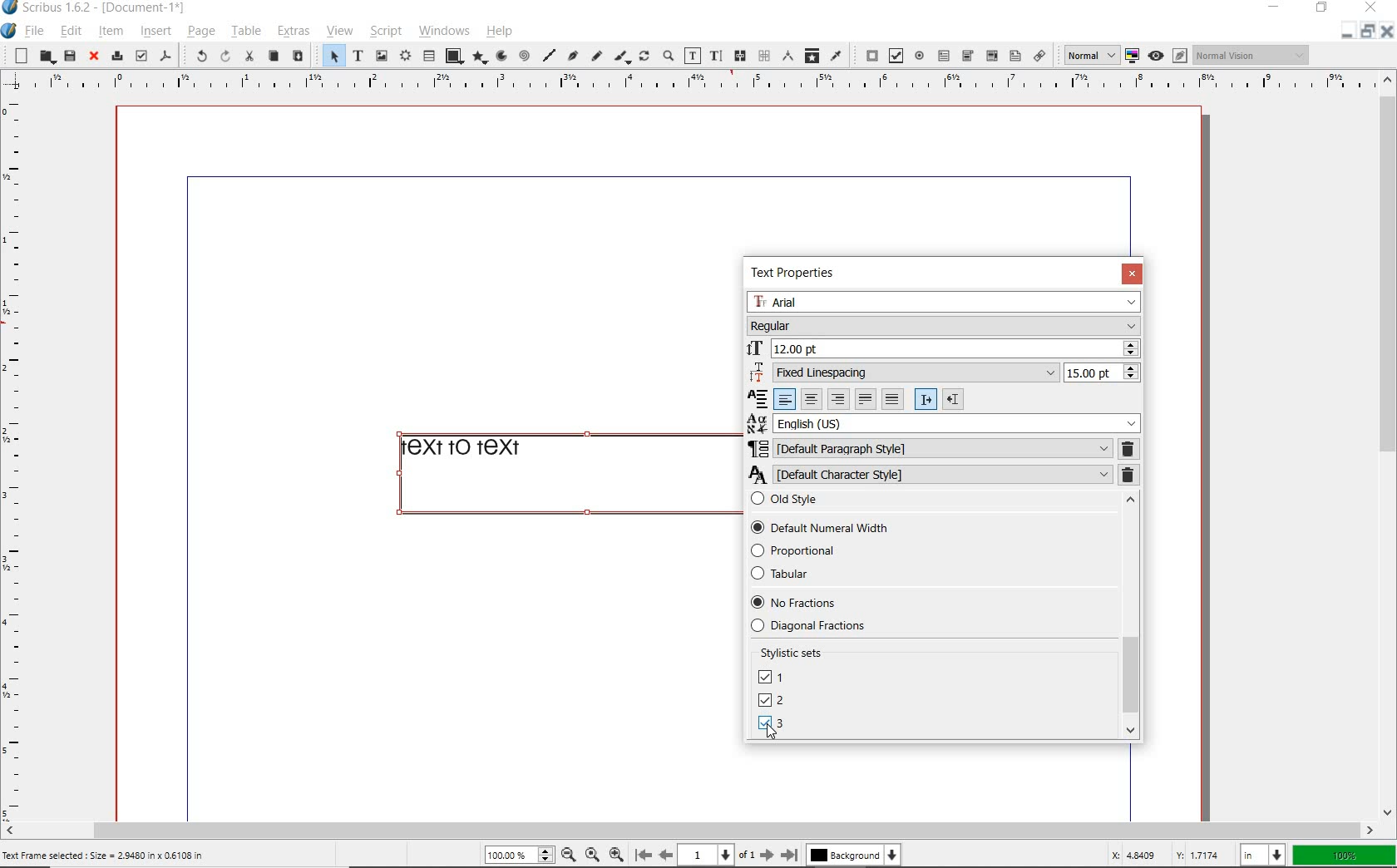 The width and height of the screenshot is (1397, 868). I want to click on Next page, so click(766, 855).